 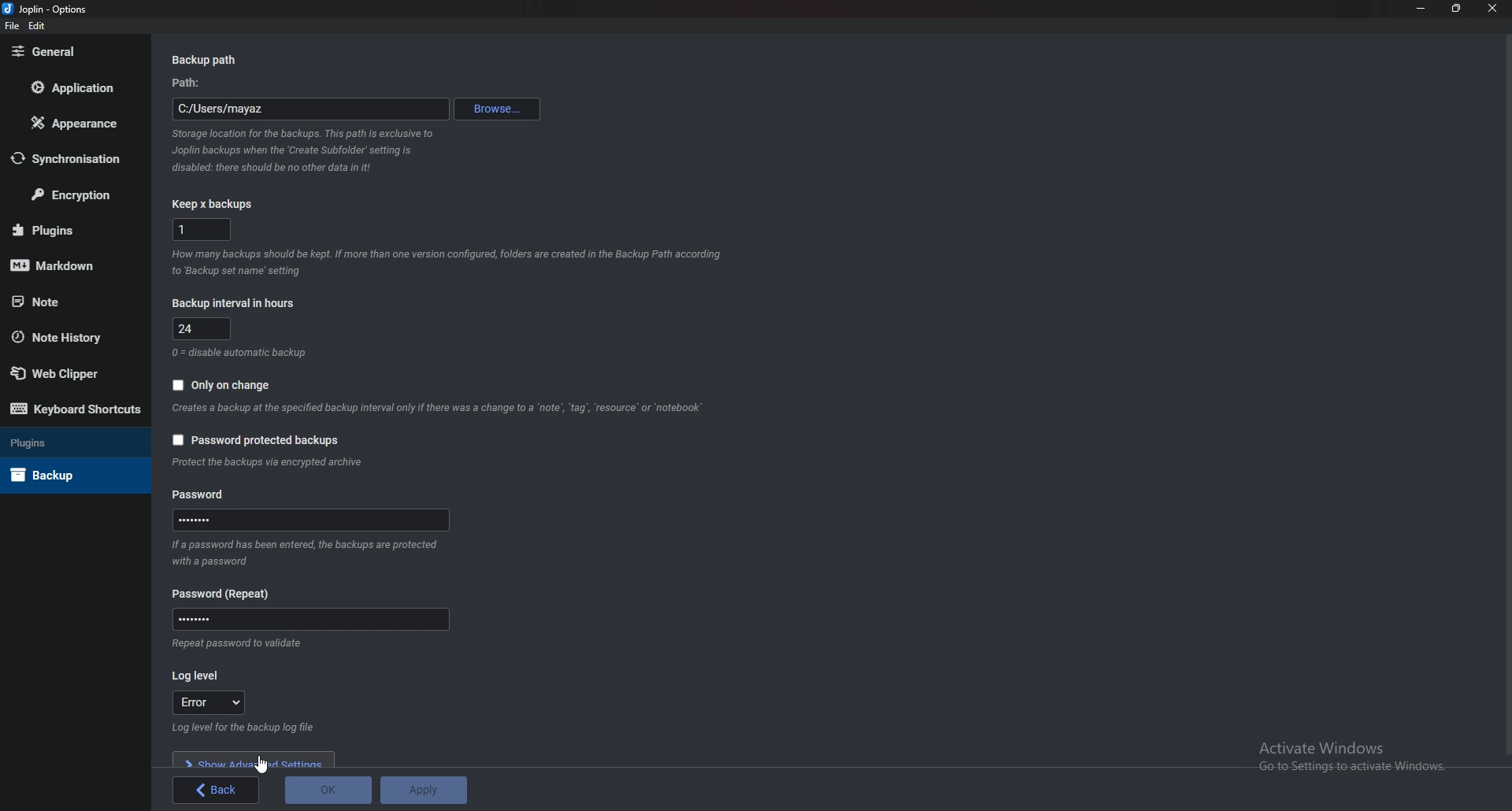 What do you see at coordinates (209, 61) in the screenshot?
I see `backup path` at bounding box center [209, 61].